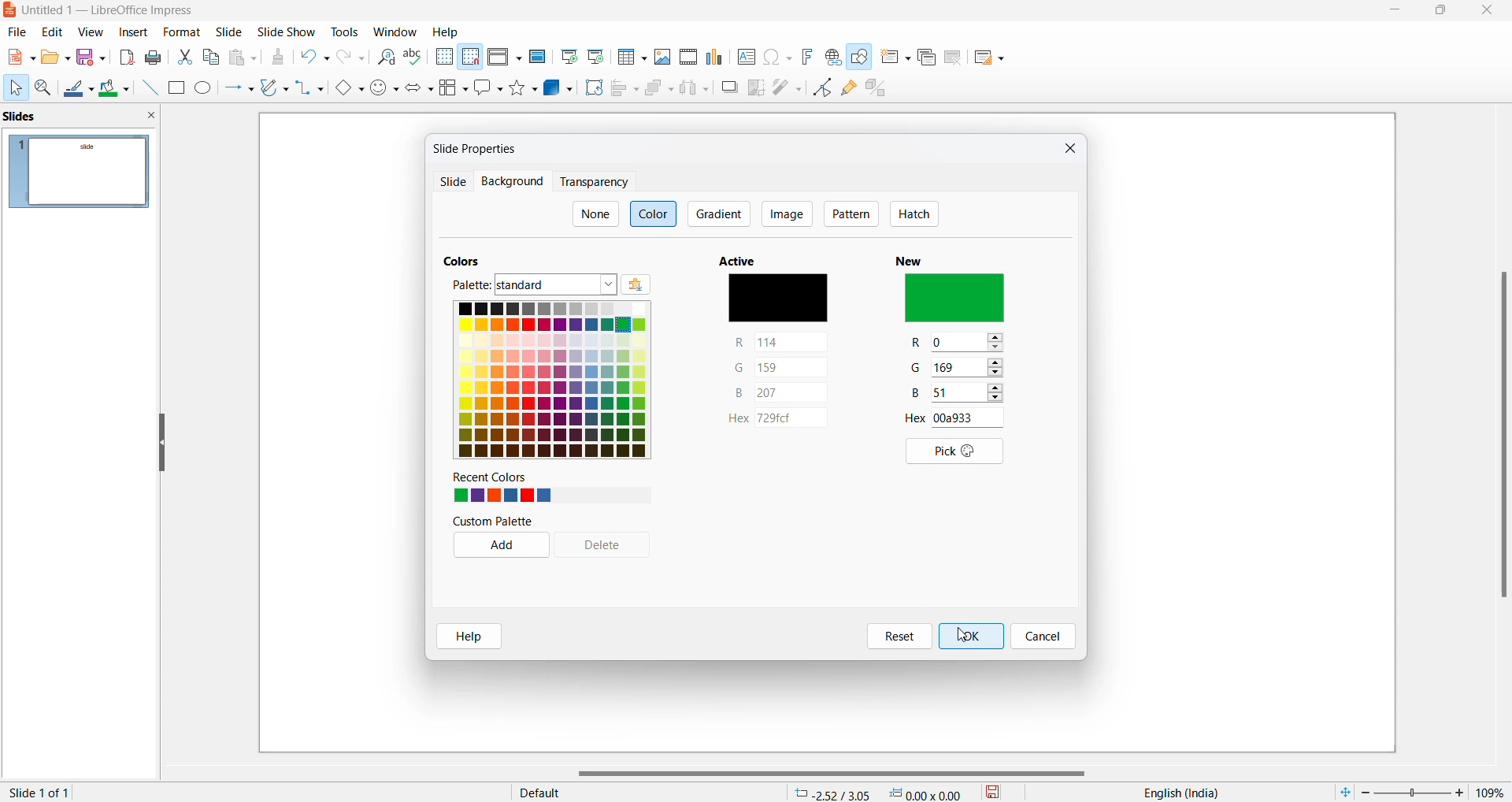  I want to click on shapes, so click(525, 87).